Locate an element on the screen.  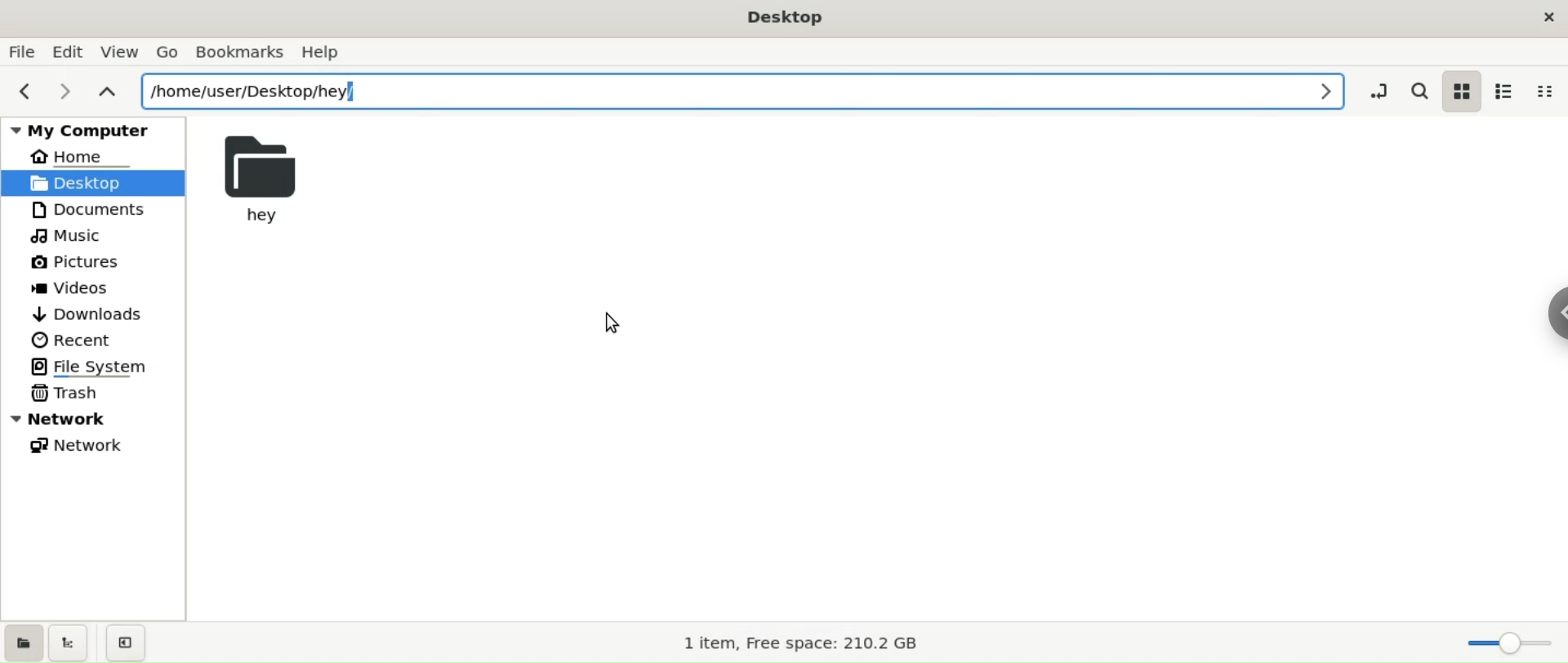
file is located at coordinates (24, 53).